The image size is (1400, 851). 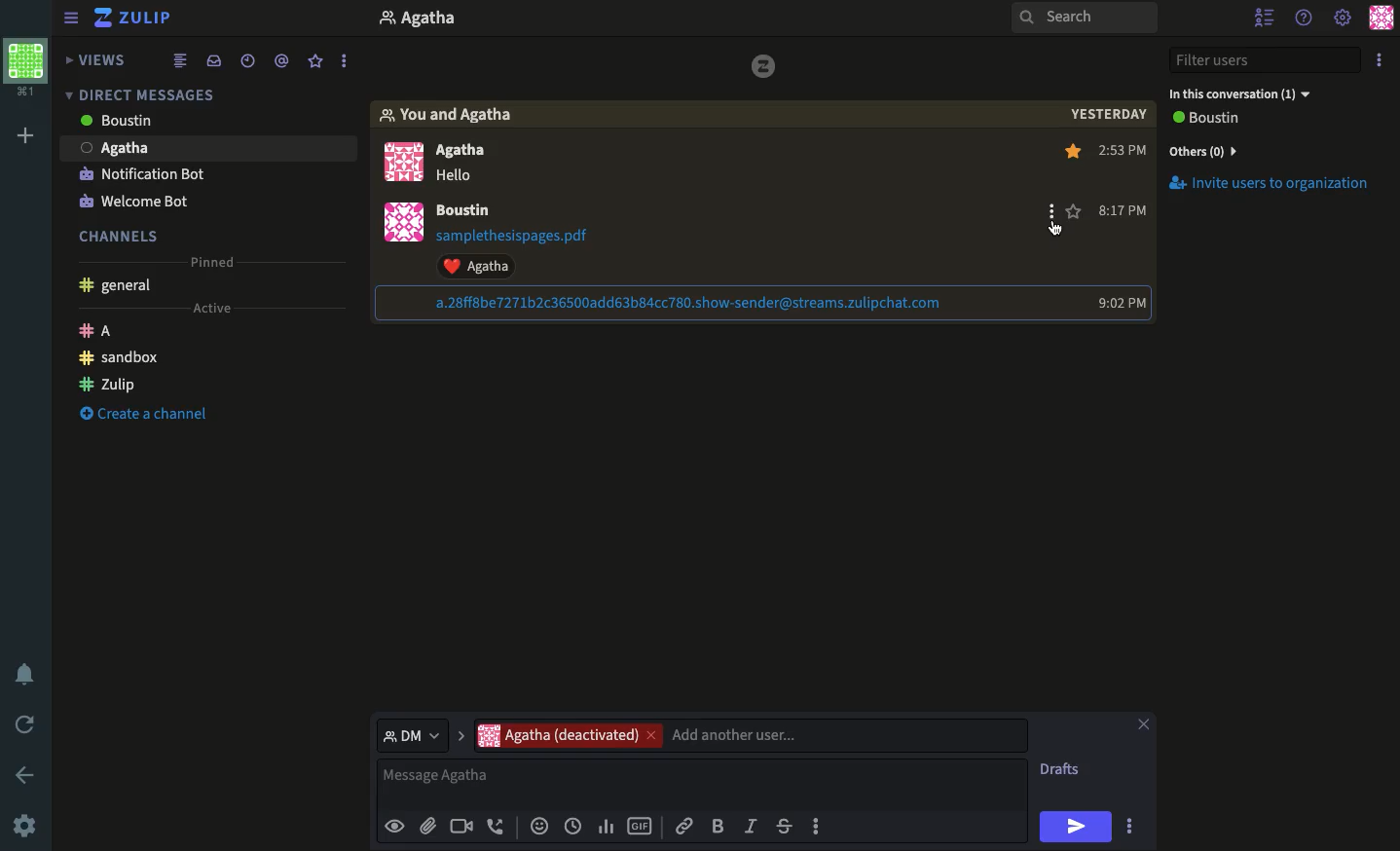 I want to click on Refresh, so click(x=28, y=722).